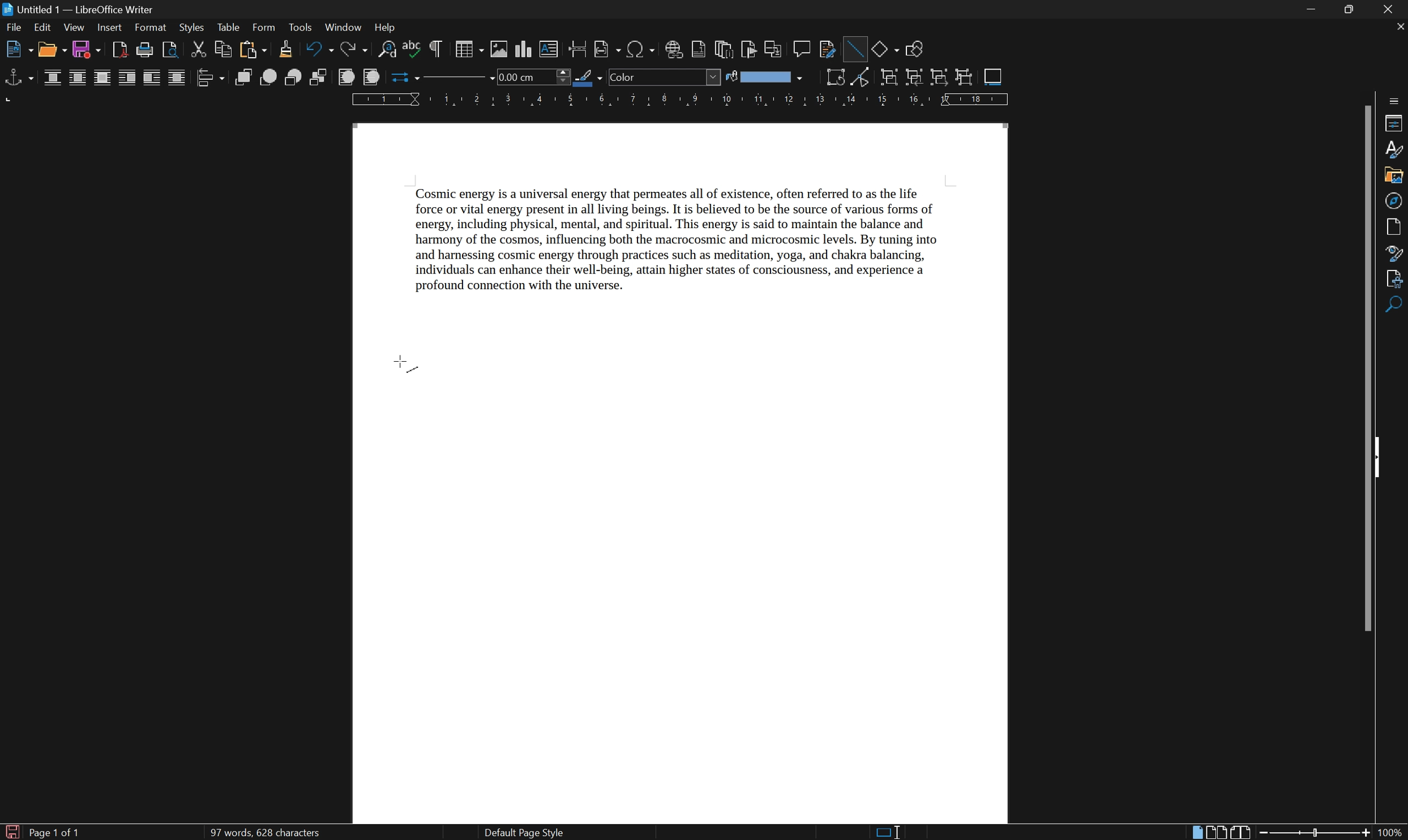 This screenshot has width=1408, height=840. I want to click on sidebar settings, so click(1395, 99).